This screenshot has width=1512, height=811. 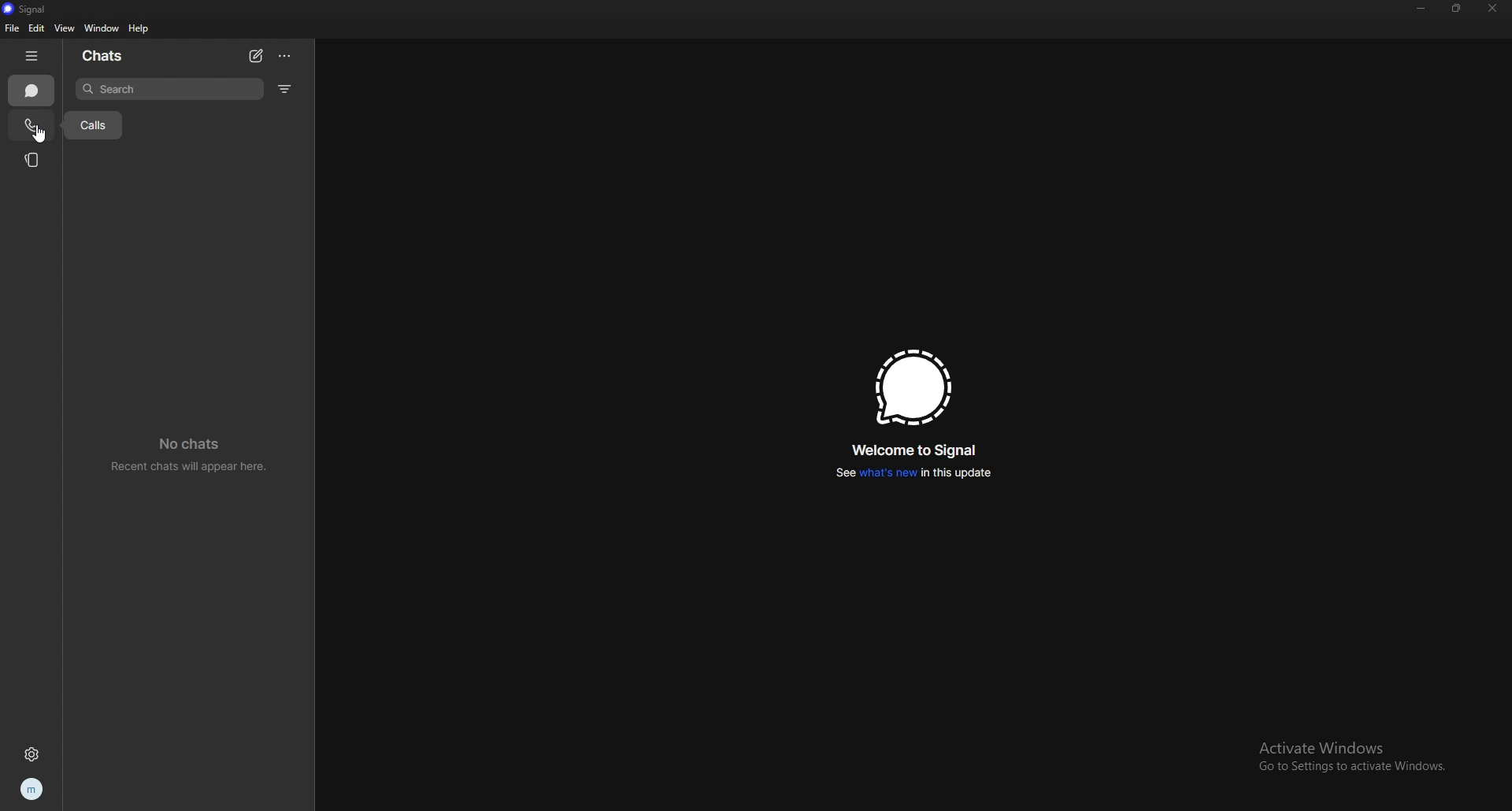 I want to click on calls, so click(x=31, y=126).